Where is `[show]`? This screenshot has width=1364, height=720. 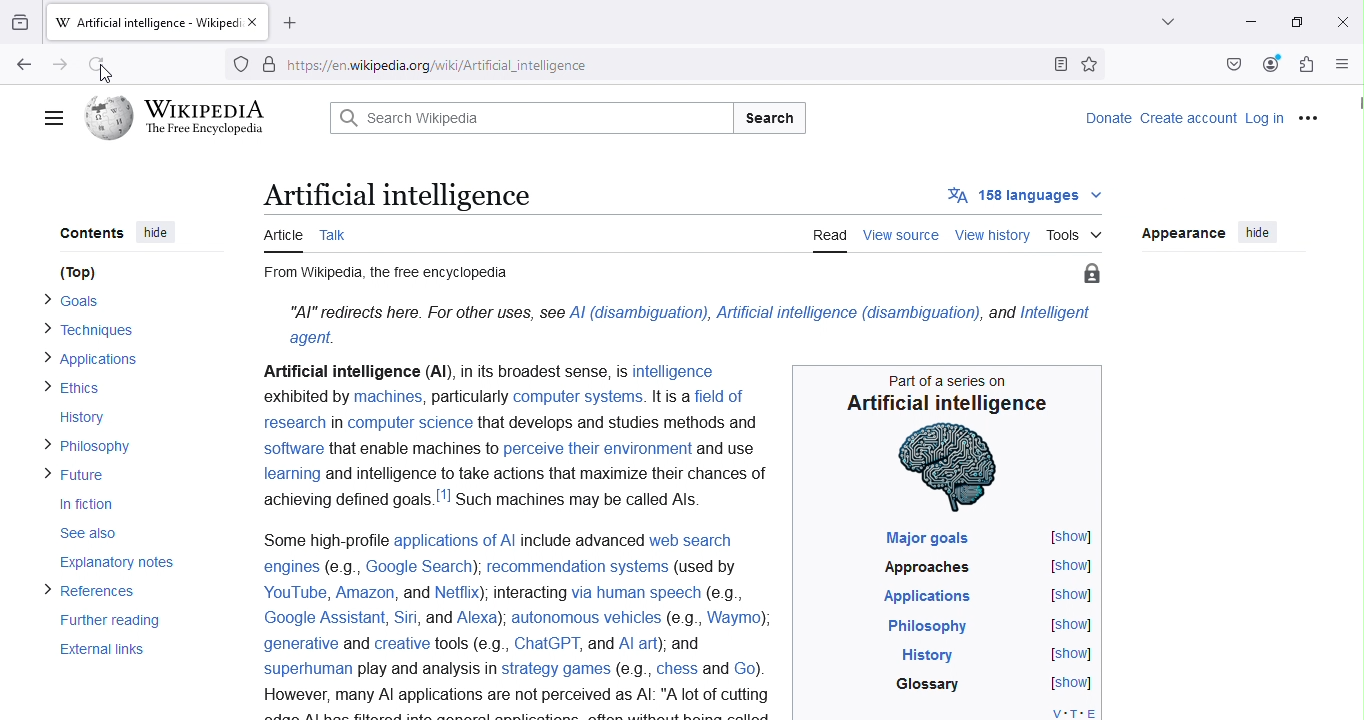
[show] is located at coordinates (1069, 536).